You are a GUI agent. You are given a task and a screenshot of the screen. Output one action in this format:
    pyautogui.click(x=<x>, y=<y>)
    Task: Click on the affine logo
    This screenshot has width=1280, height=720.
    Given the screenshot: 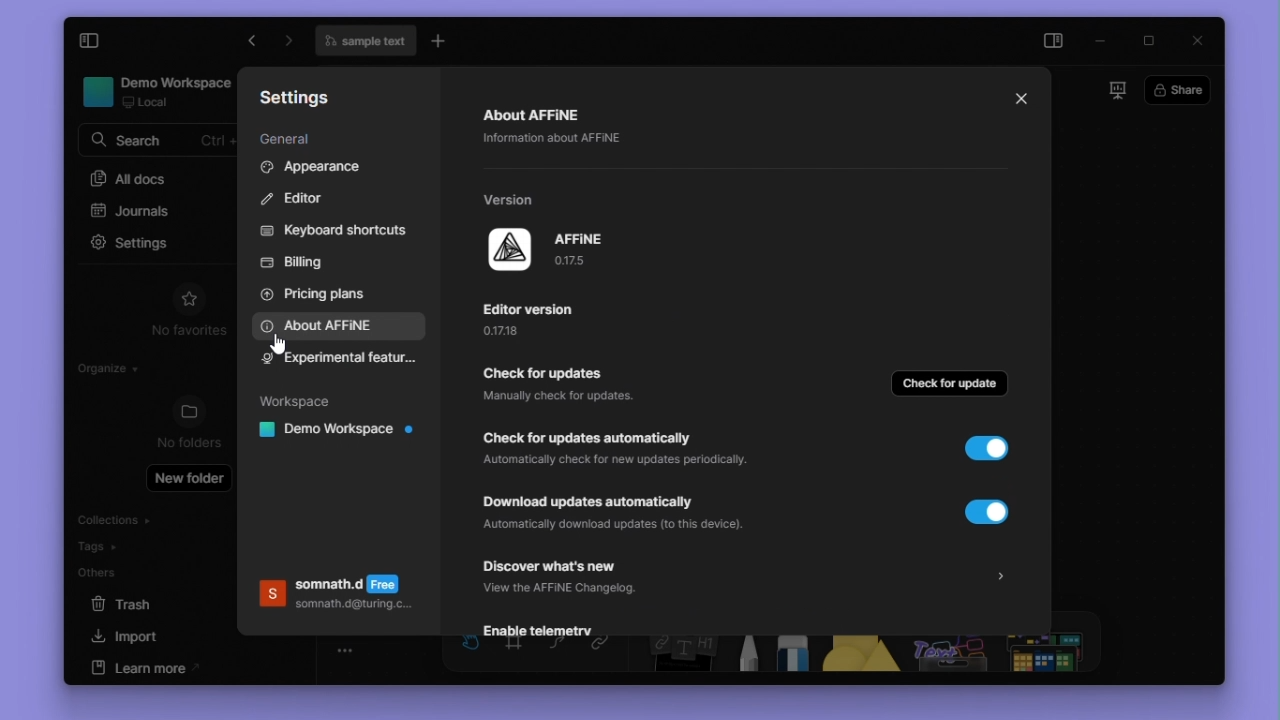 What is the action you would take?
    pyautogui.click(x=507, y=250)
    